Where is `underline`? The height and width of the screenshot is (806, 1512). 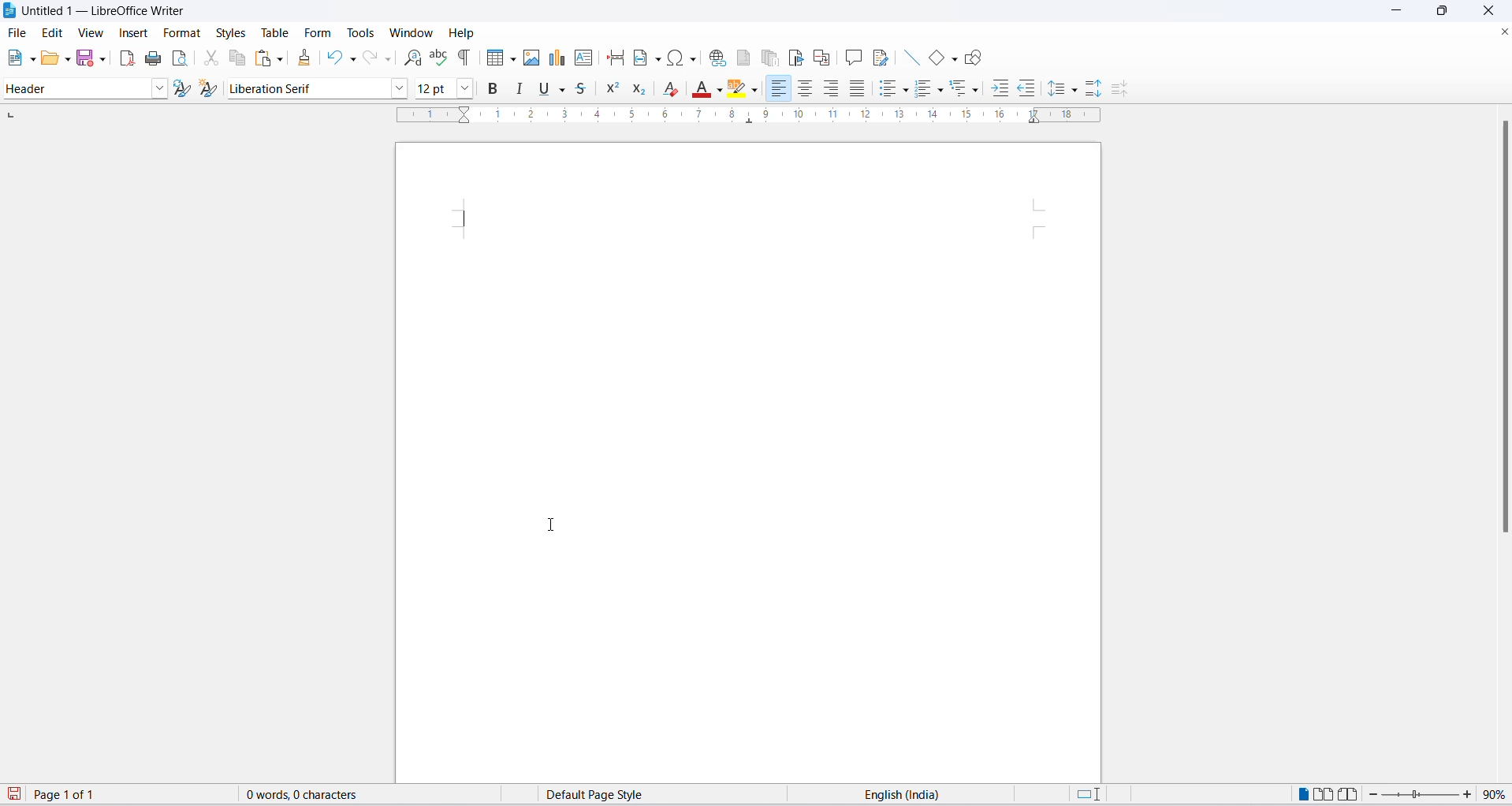 underline is located at coordinates (543, 91).